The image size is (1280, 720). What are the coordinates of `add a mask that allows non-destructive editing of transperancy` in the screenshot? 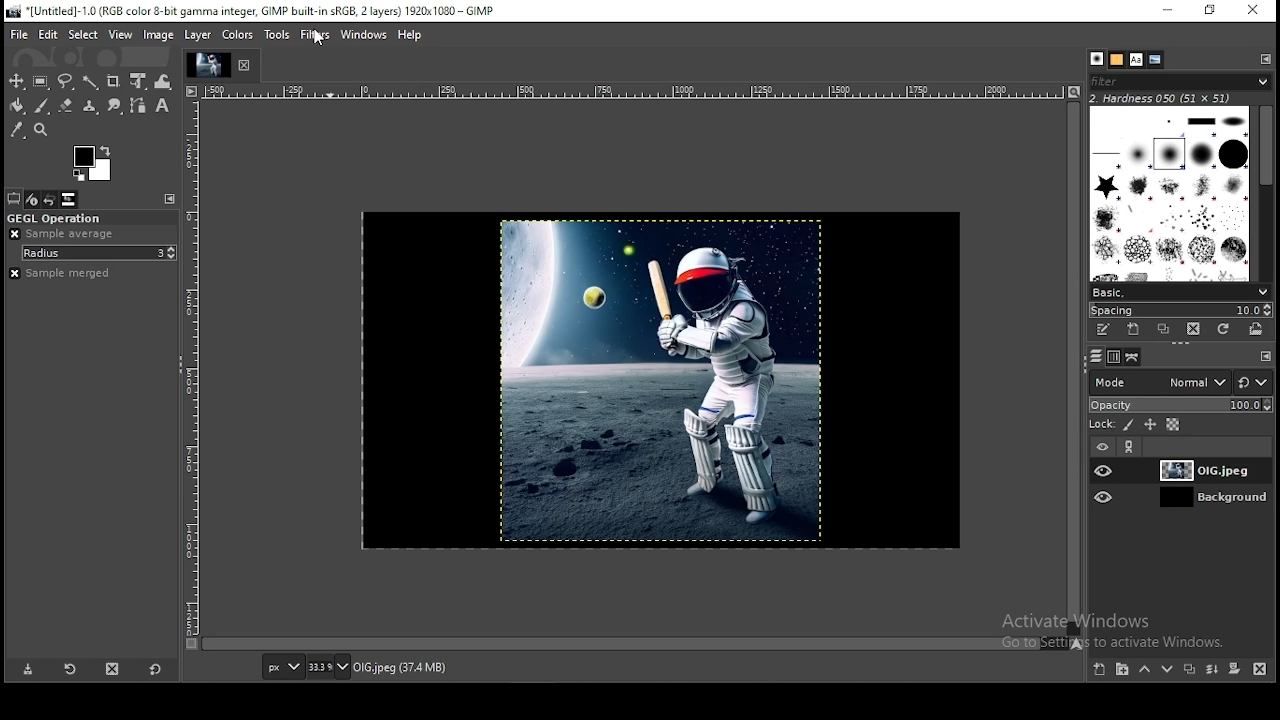 It's located at (1236, 669).